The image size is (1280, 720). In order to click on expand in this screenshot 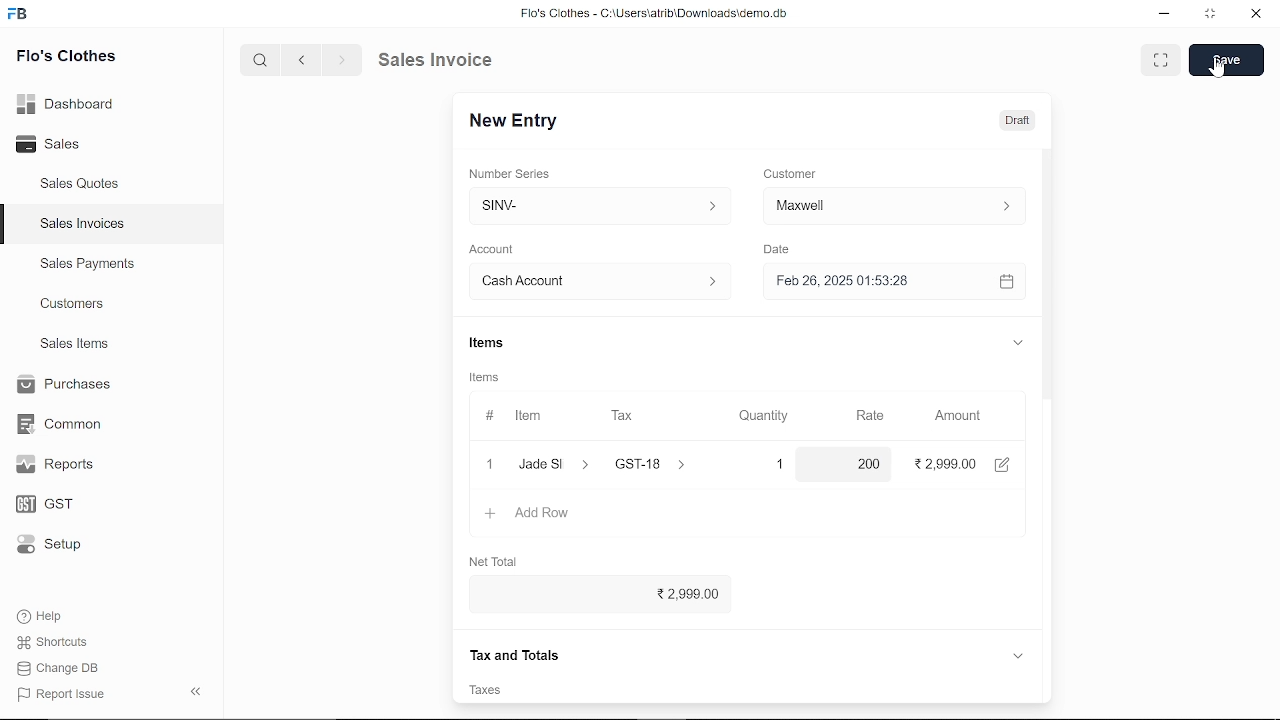, I will do `click(1018, 654)`.